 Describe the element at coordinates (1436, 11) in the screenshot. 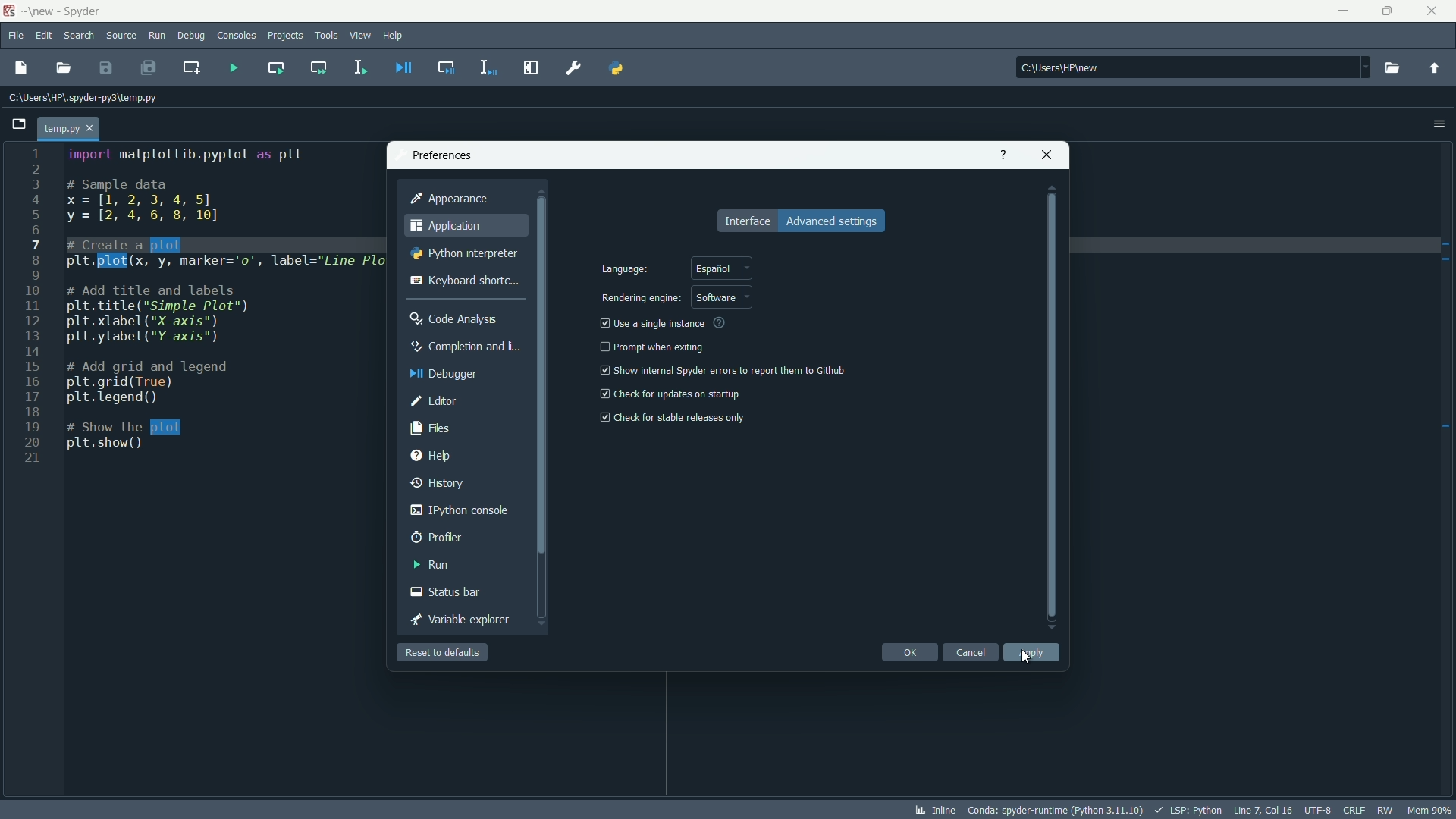

I see `close app` at that location.